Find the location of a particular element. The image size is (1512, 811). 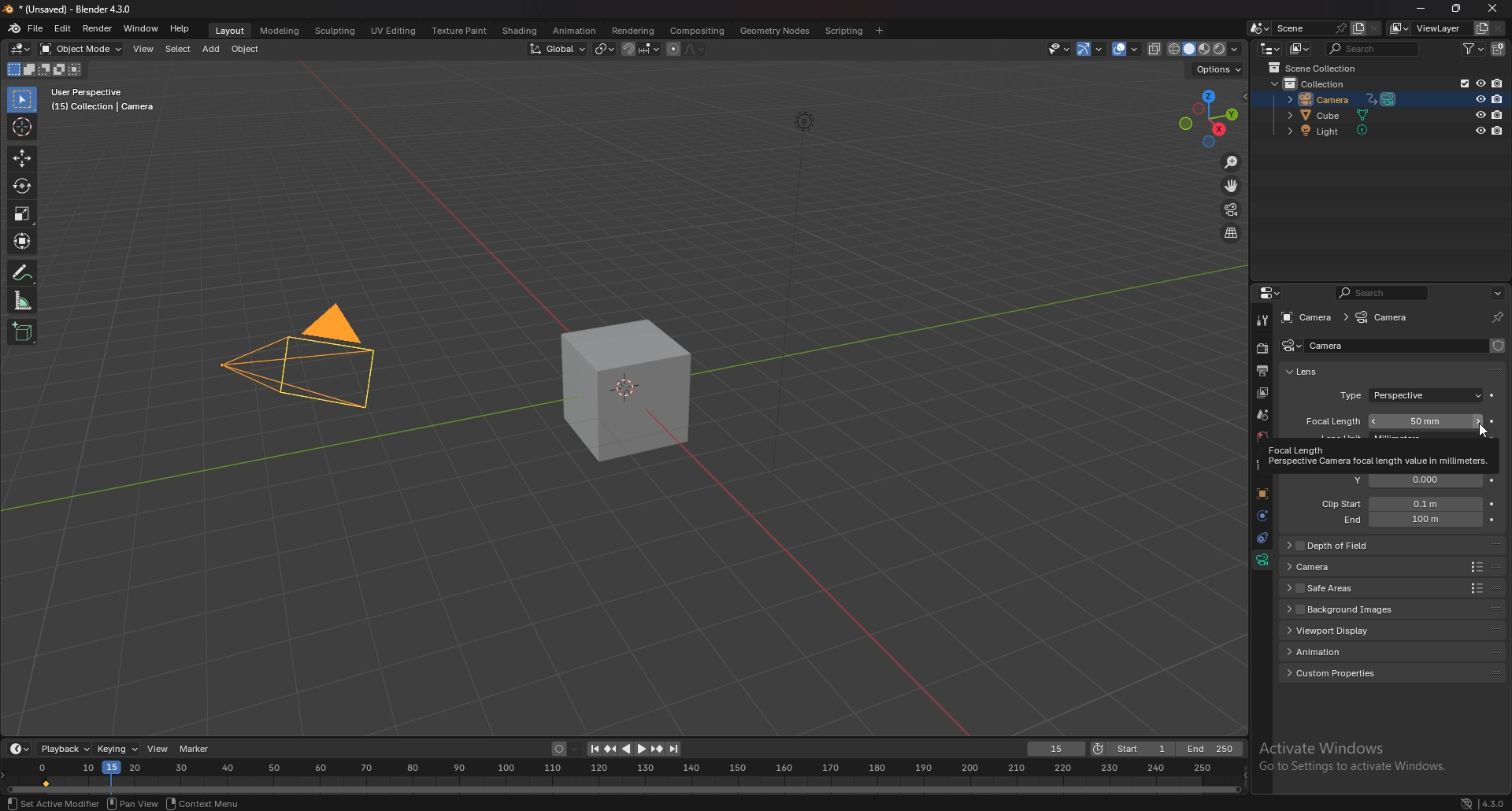

overlays is located at coordinates (1127, 50).